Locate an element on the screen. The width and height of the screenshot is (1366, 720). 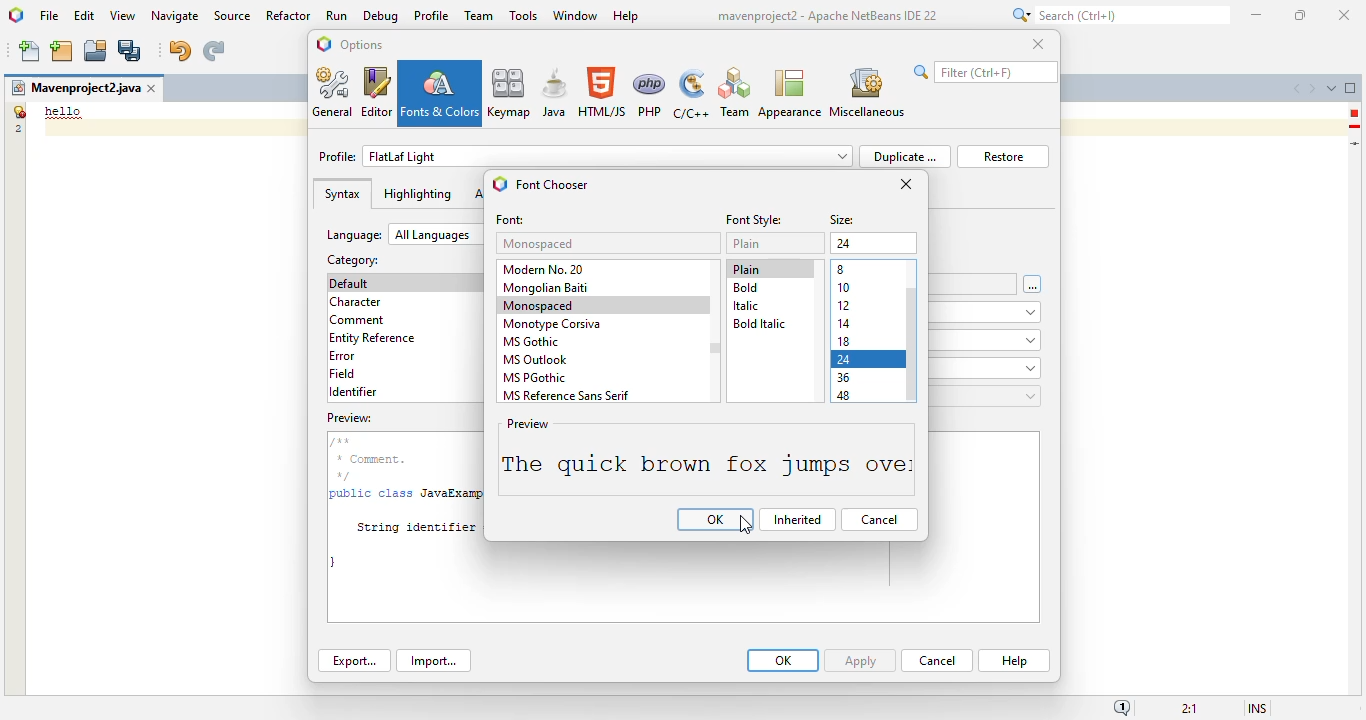
new file is located at coordinates (31, 51).